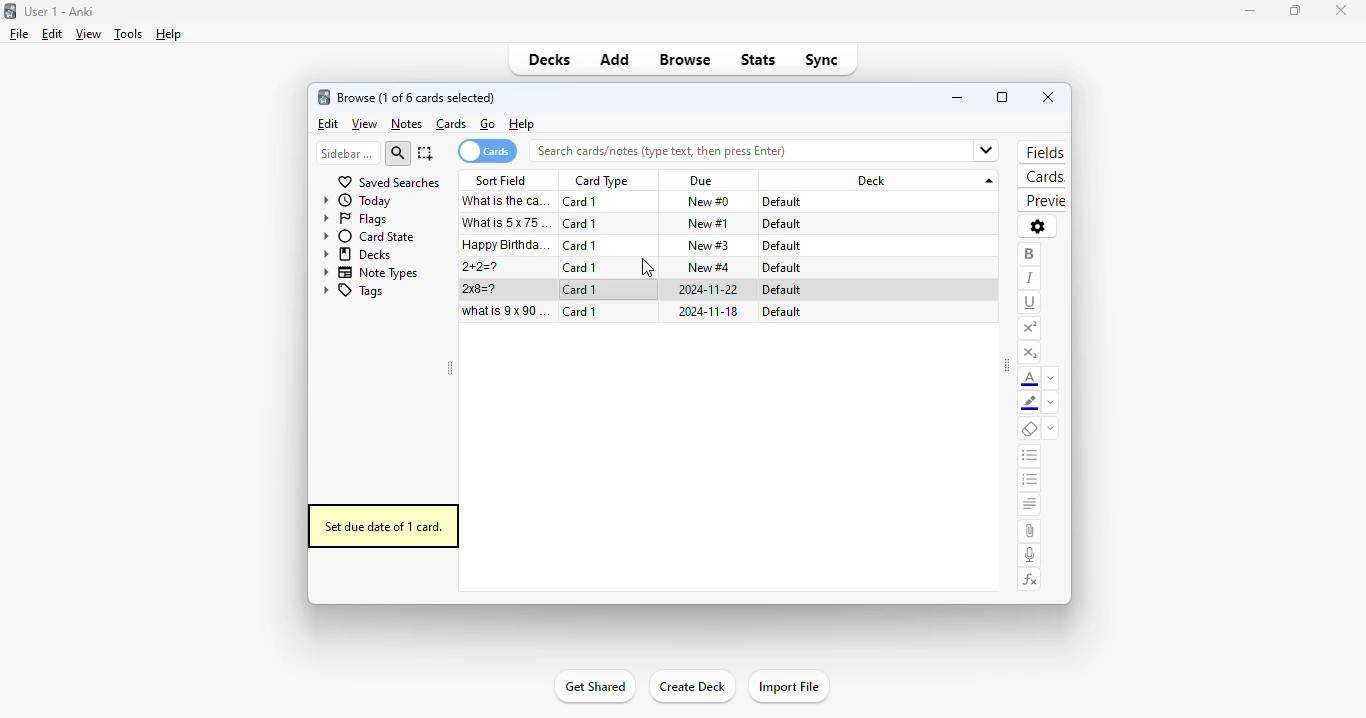 Image resolution: width=1366 pixels, height=718 pixels. What do you see at coordinates (487, 151) in the screenshot?
I see `cards` at bounding box center [487, 151].